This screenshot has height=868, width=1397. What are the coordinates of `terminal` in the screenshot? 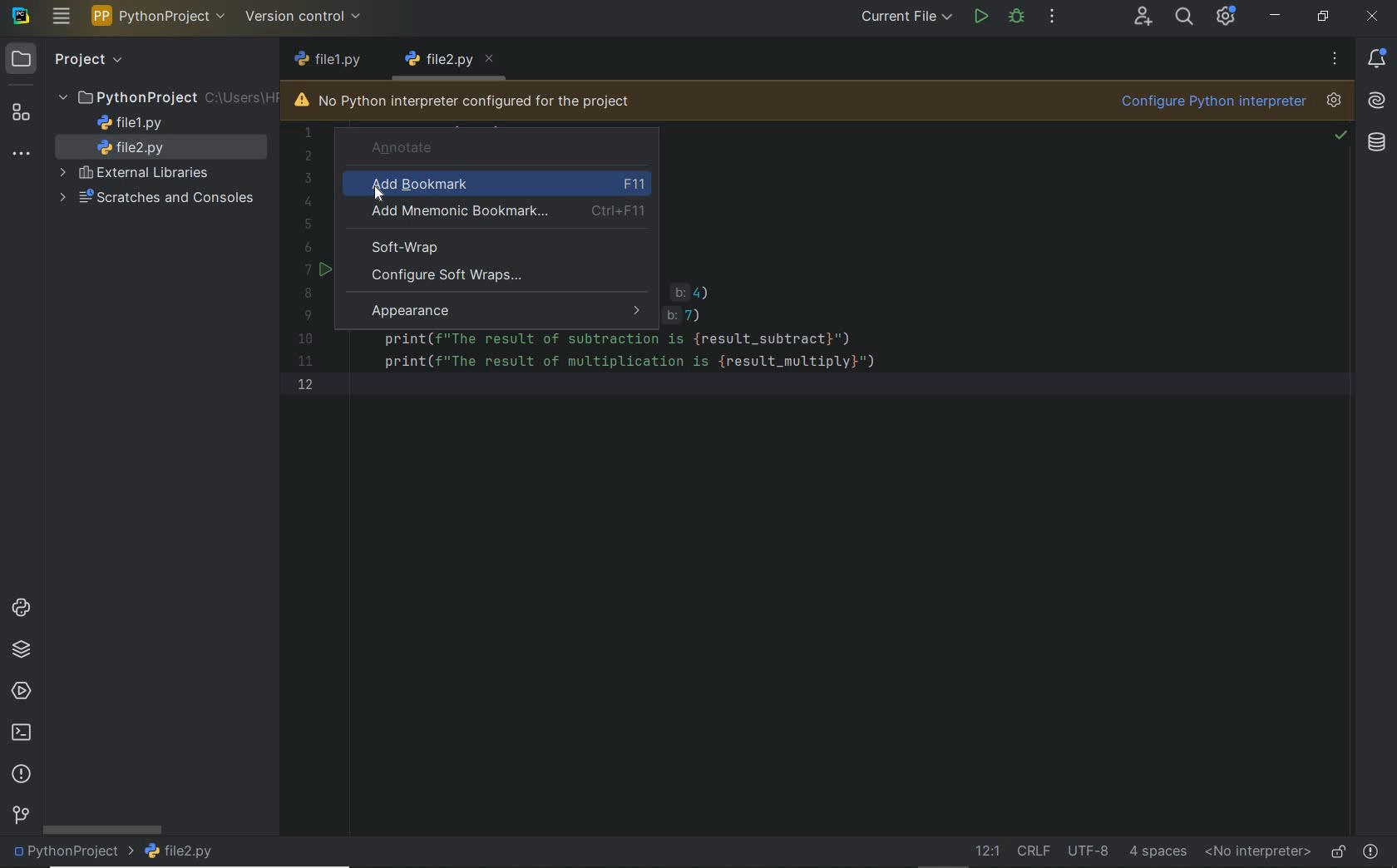 It's located at (20, 734).